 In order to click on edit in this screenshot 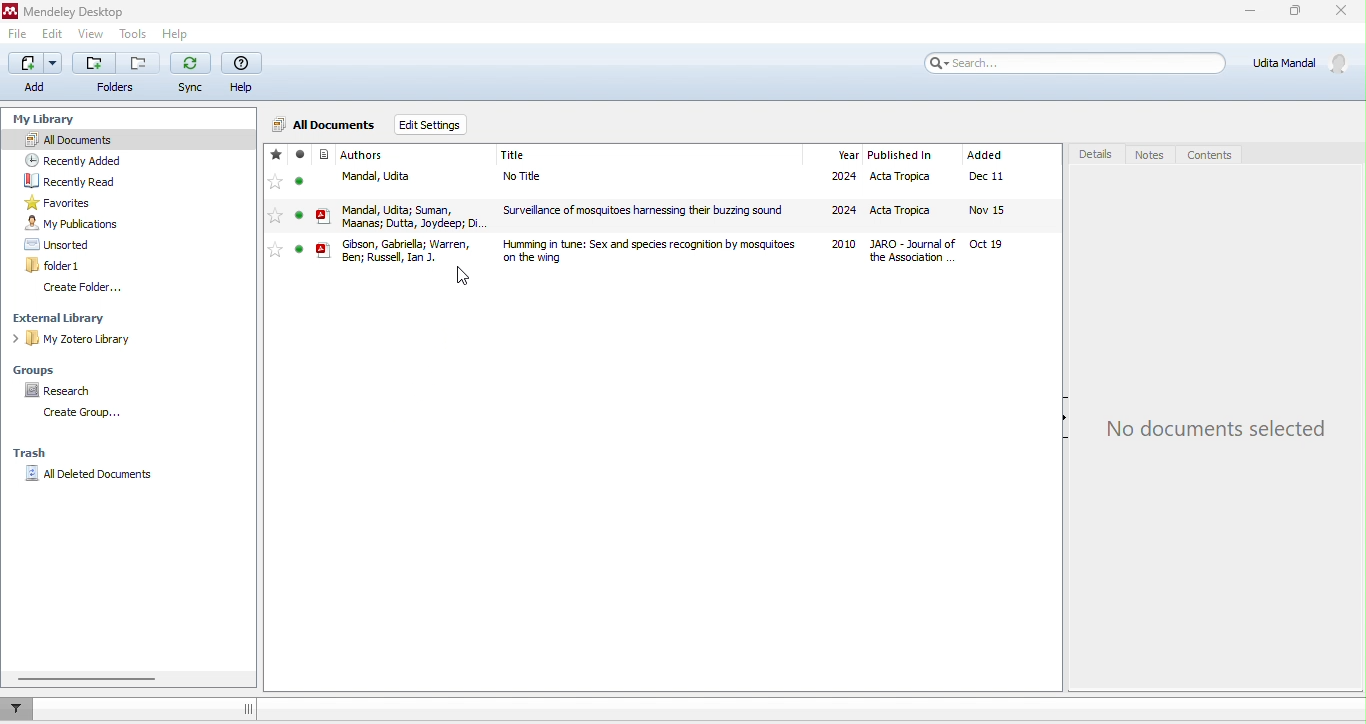, I will do `click(53, 37)`.